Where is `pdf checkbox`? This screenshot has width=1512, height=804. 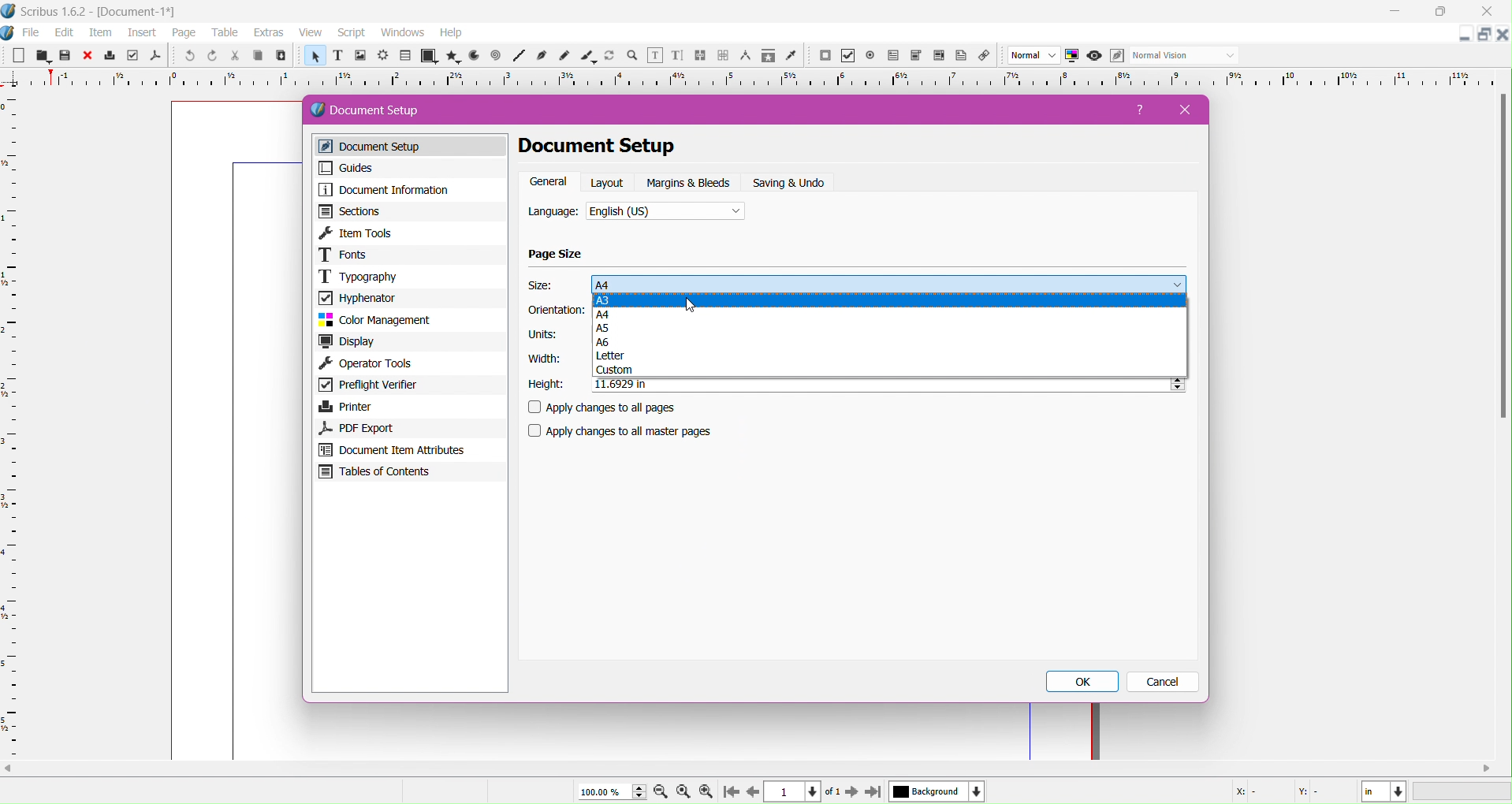
pdf checkbox is located at coordinates (847, 56).